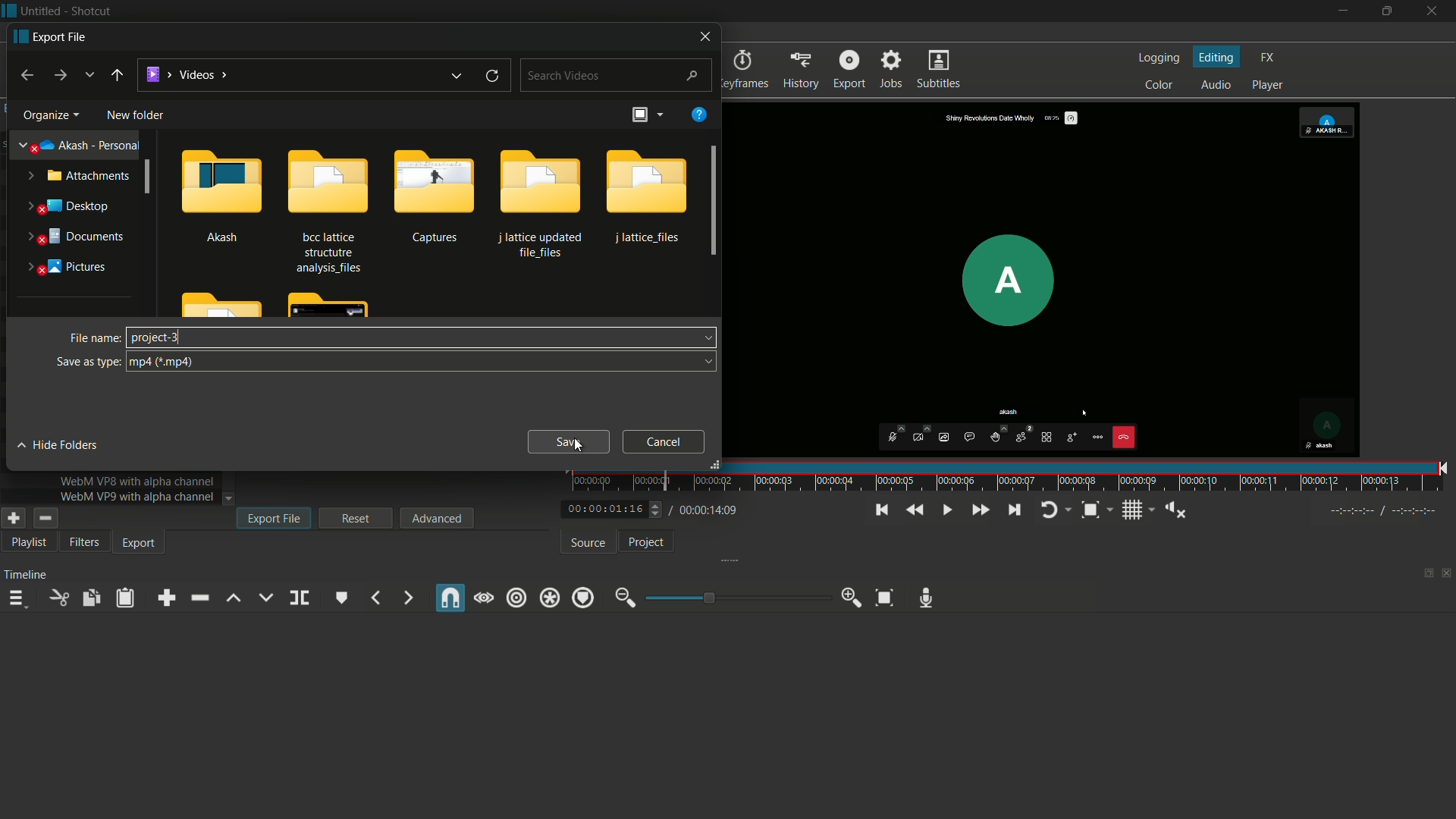 This screenshot has height=819, width=1456. What do you see at coordinates (698, 115) in the screenshot?
I see `get help` at bounding box center [698, 115].